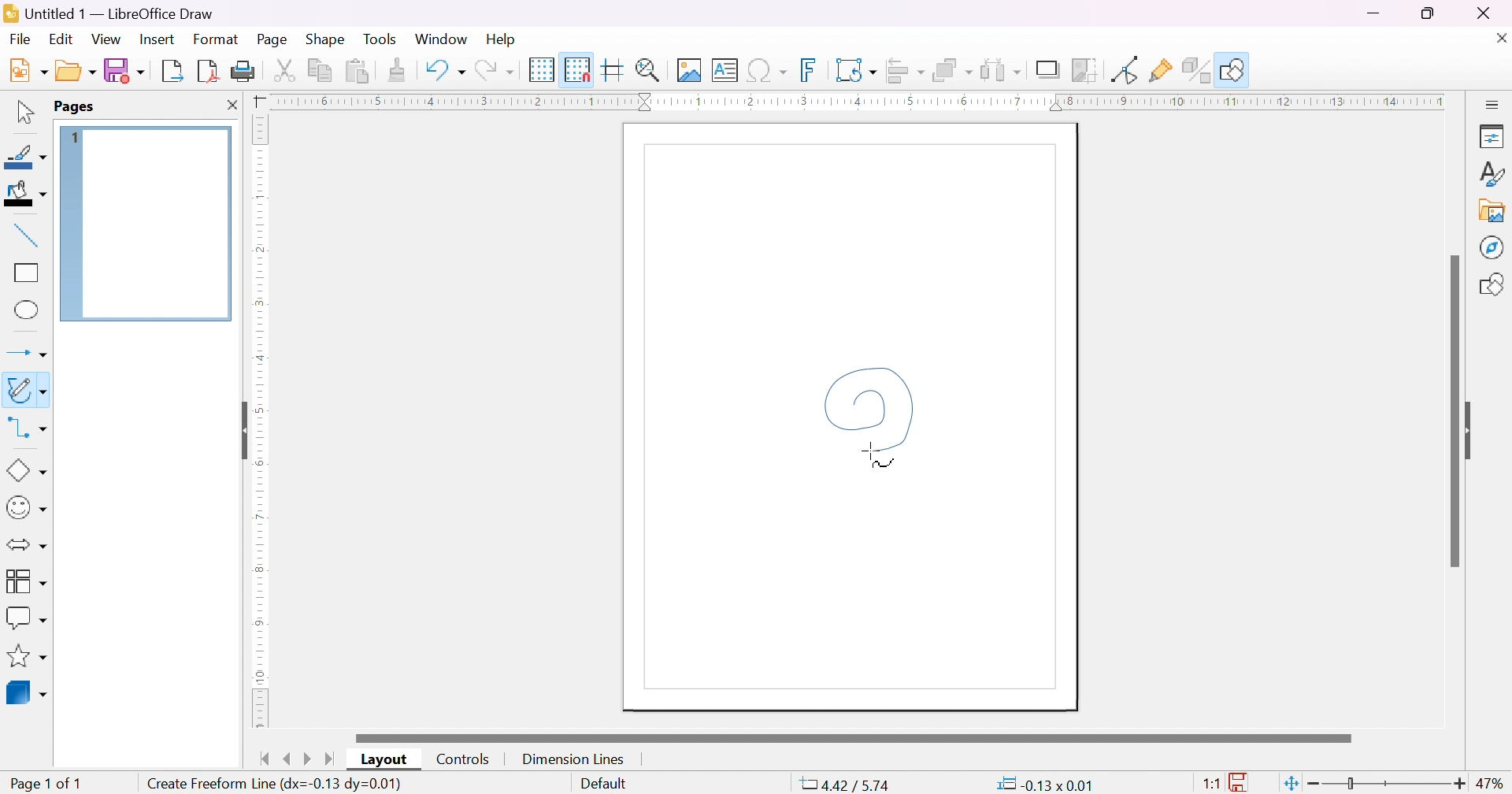 The height and width of the screenshot is (794, 1512). I want to click on arrange, so click(953, 70).